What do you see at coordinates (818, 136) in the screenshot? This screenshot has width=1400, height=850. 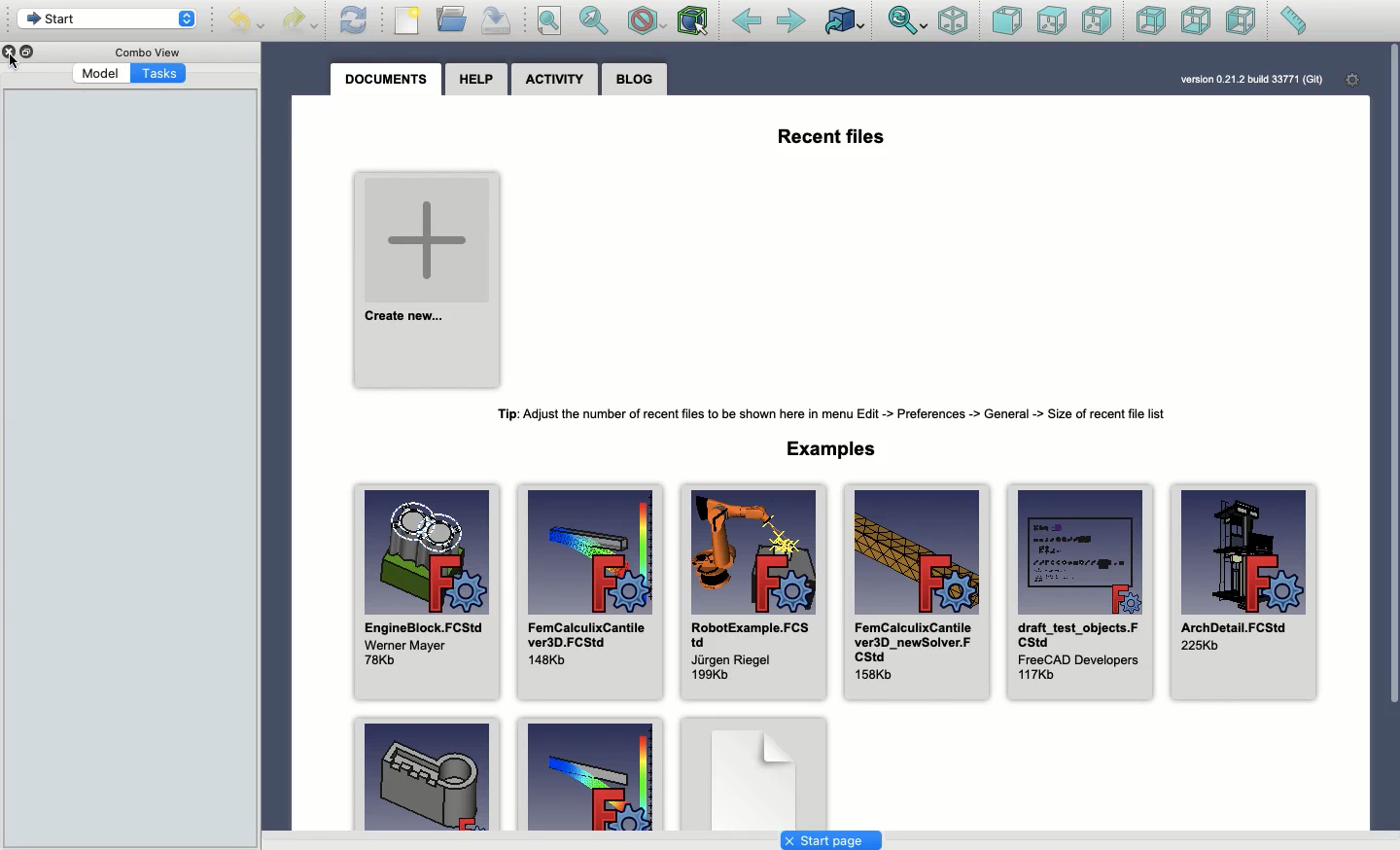 I see `Recent files` at bounding box center [818, 136].